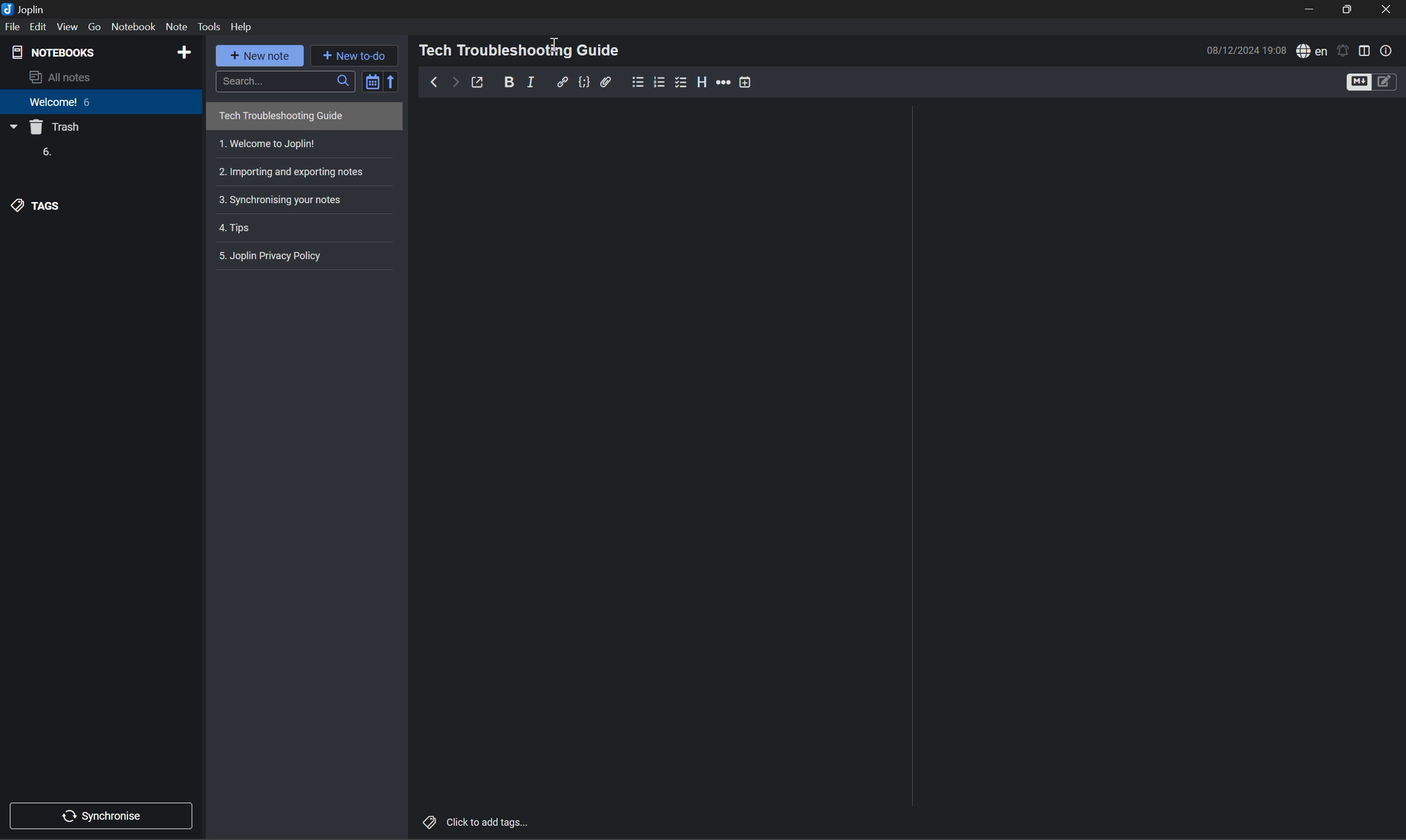 The width and height of the screenshot is (1406, 840). What do you see at coordinates (394, 81) in the screenshot?
I see `Reverse sort order` at bounding box center [394, 81].